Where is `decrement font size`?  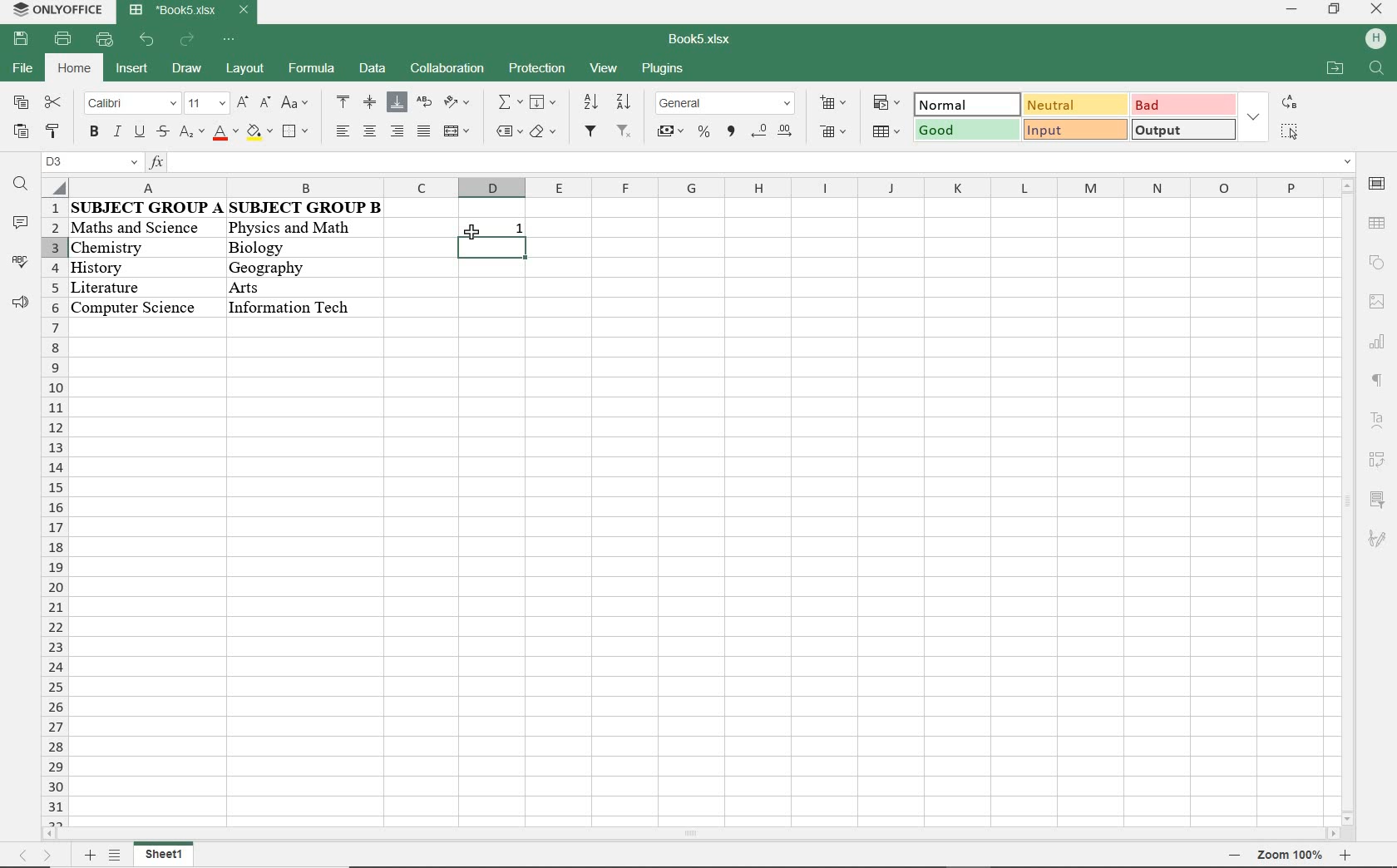 decrement font size is located at coordinates (264, 102).